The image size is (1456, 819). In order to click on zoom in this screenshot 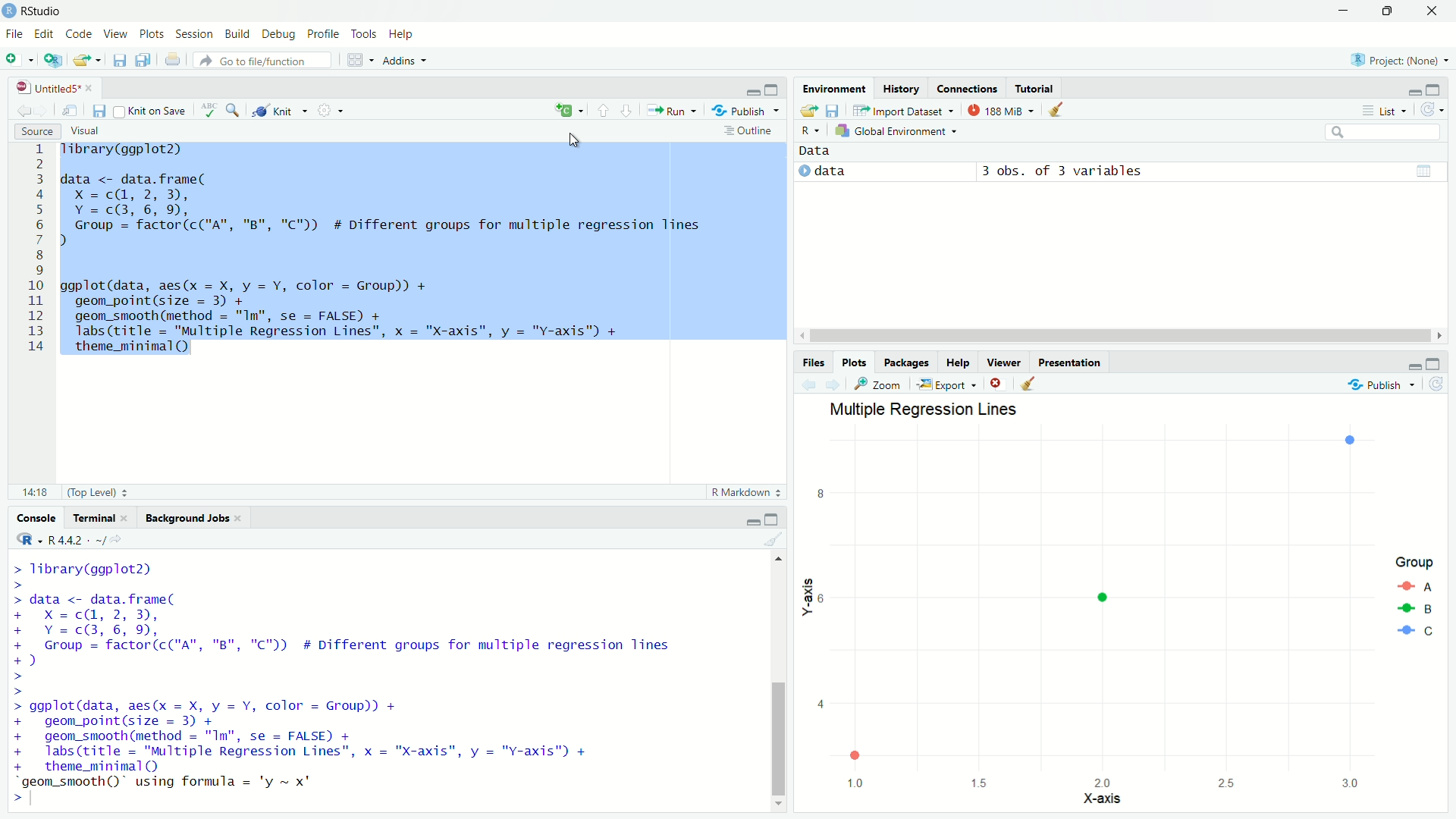, I will do `click(232, 110)`.